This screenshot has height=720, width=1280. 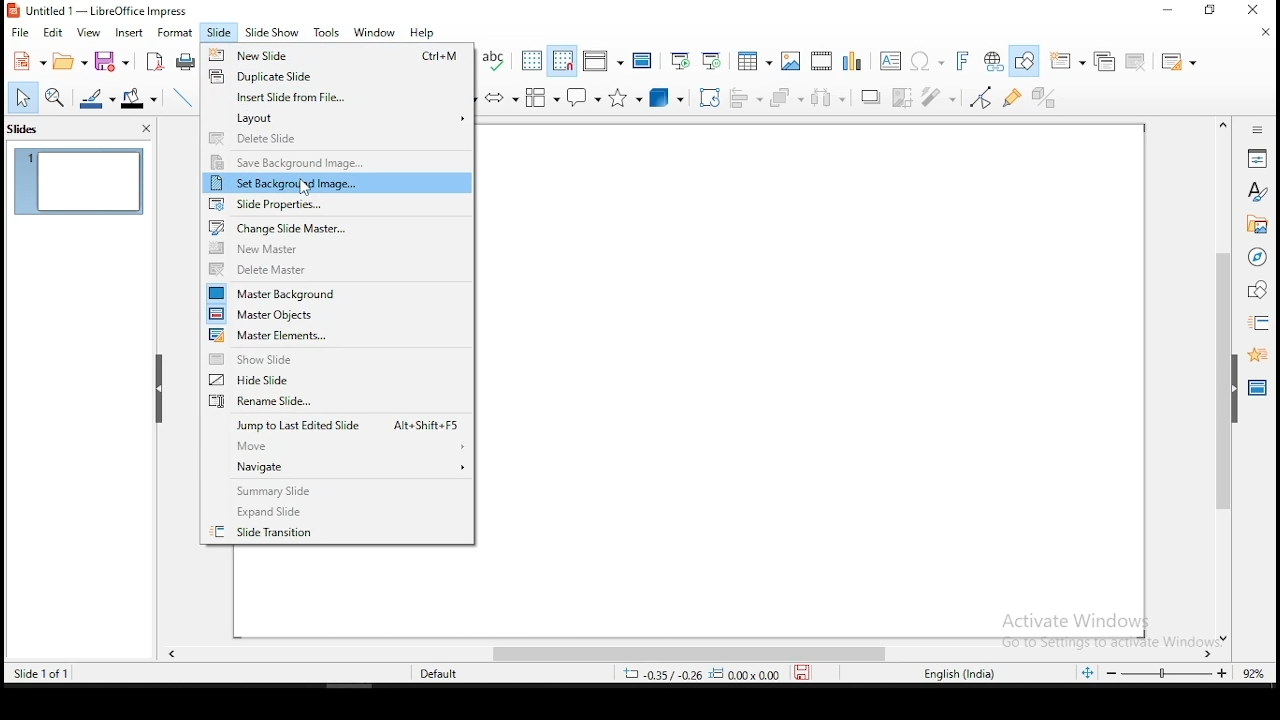 I want to click on insert slide from file, so click(x=335, y=98).